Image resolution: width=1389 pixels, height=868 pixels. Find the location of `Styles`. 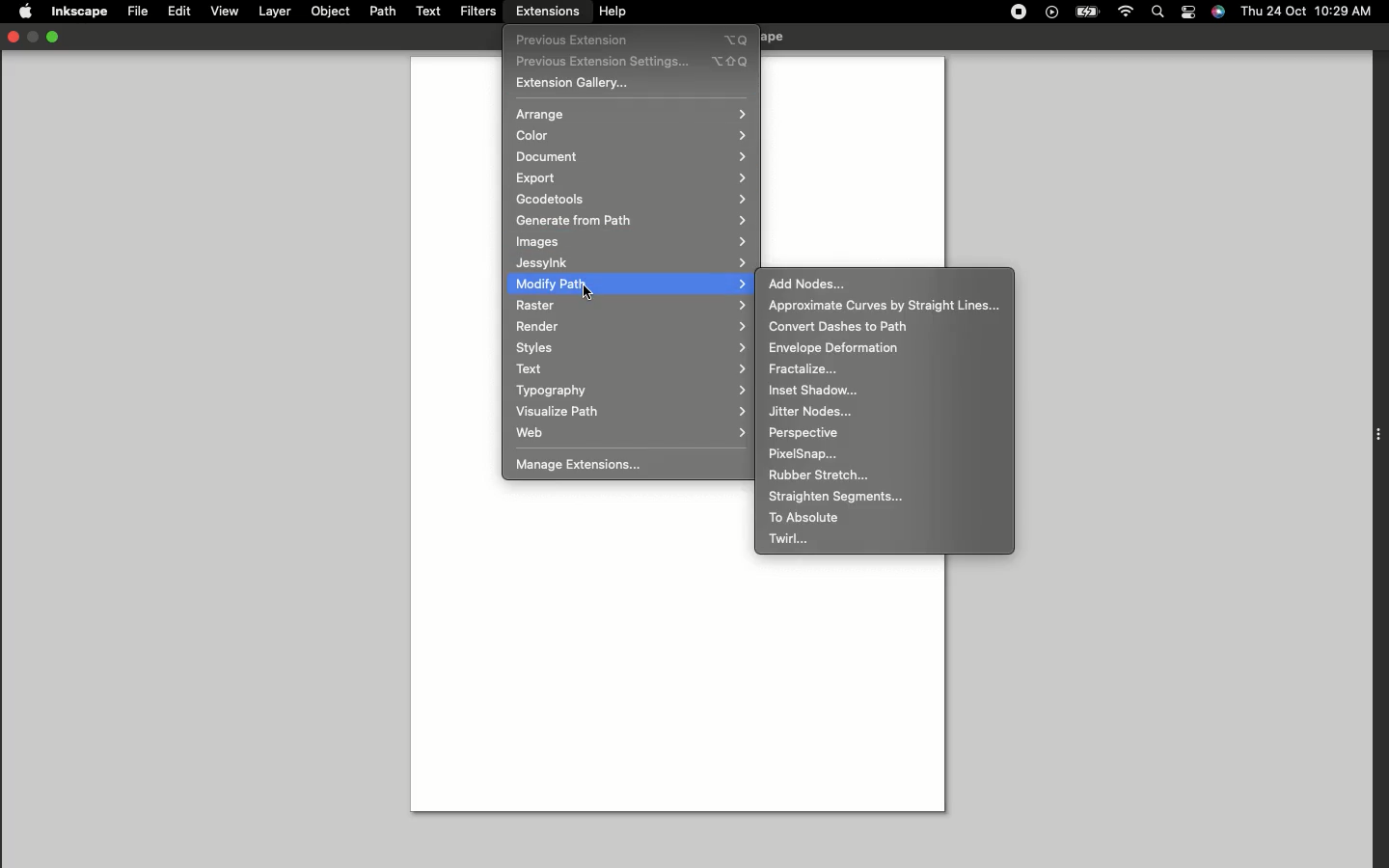

Styles is located at coordinates (633, 347).